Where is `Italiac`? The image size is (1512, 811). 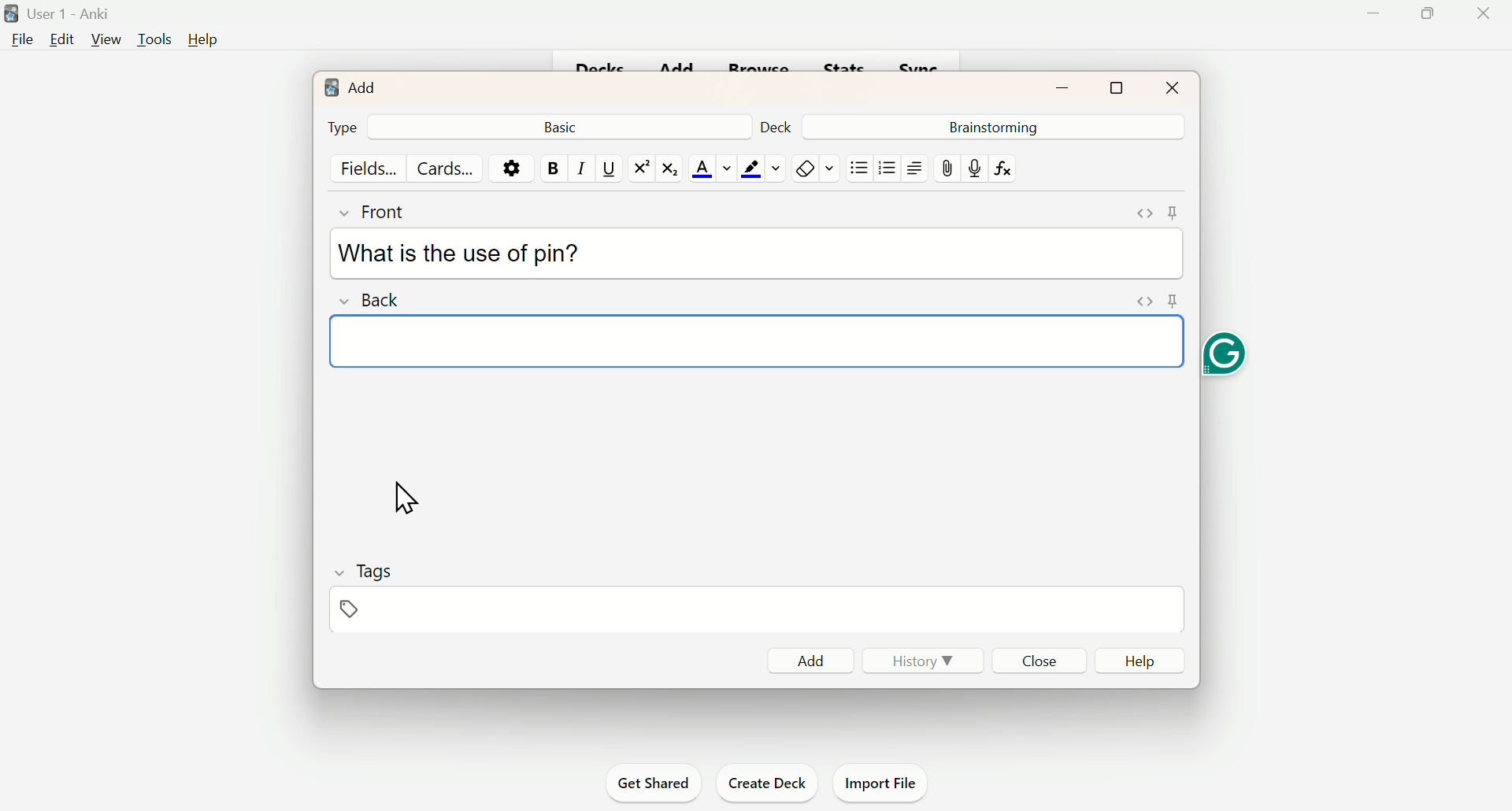
Italiac is located at coordinates (580, 167).